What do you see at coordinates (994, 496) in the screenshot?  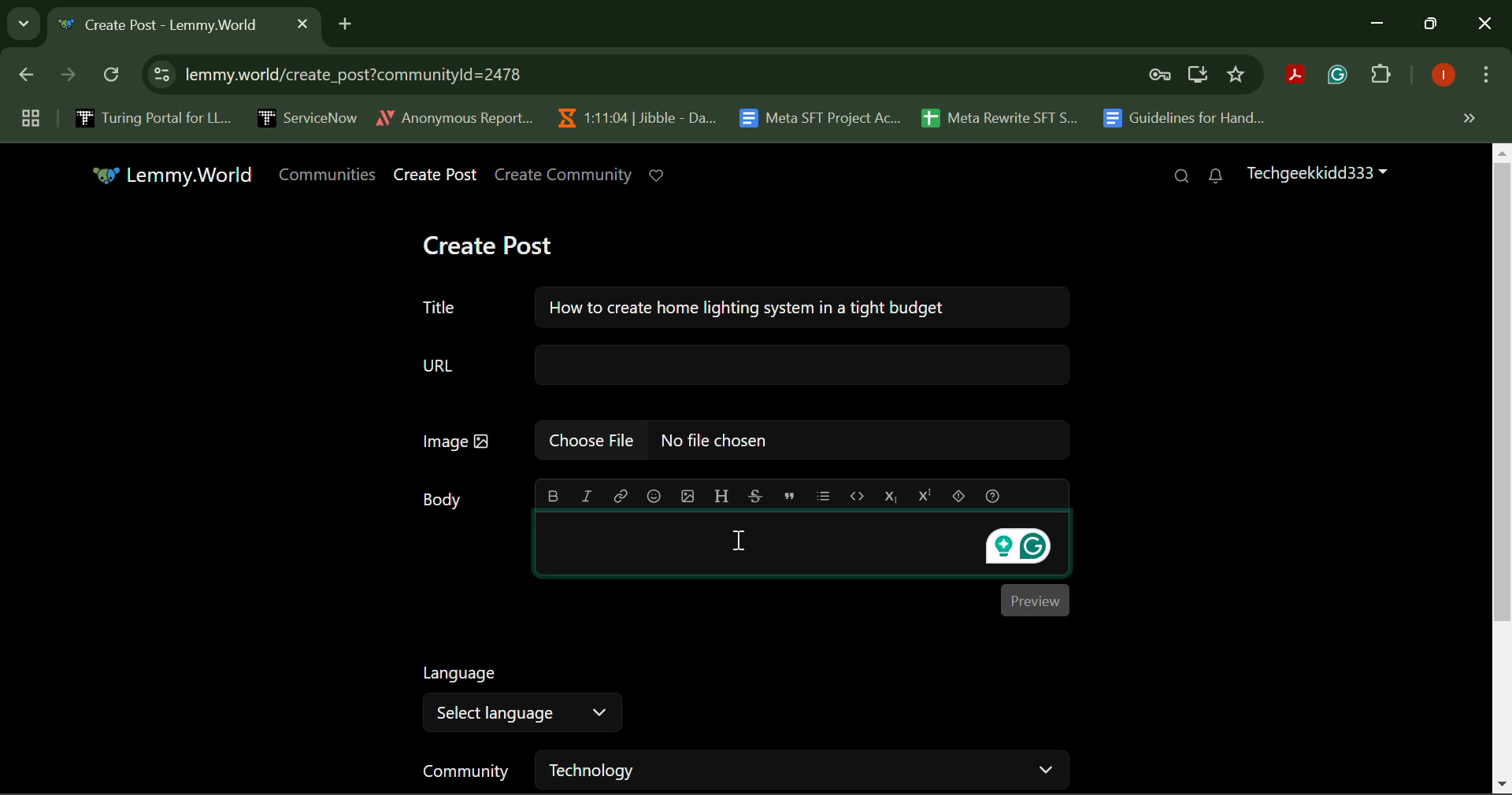 I see `formatting help` at bounding box center [994, 496].